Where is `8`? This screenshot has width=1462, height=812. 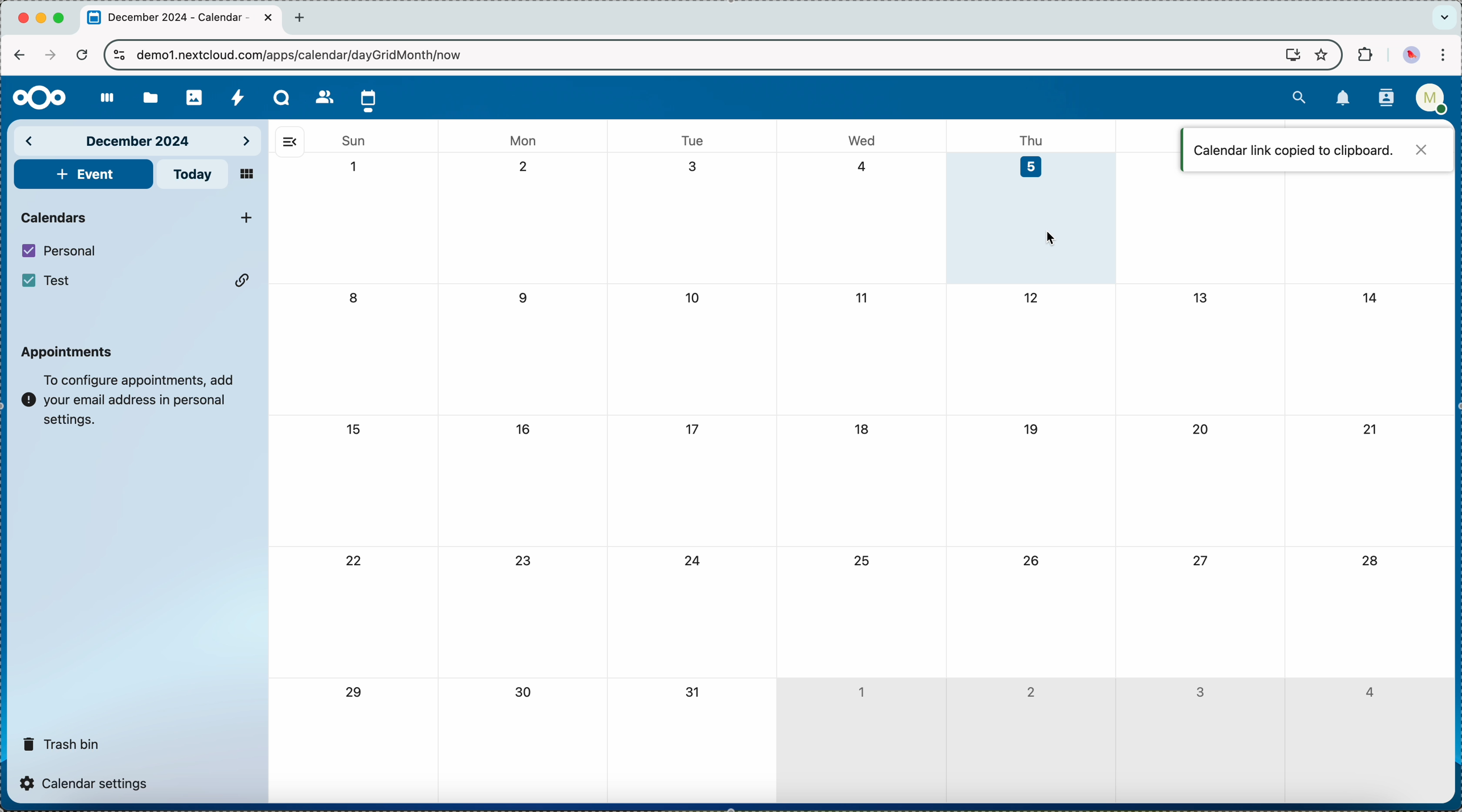 8 is located at coordinates (354, 299).